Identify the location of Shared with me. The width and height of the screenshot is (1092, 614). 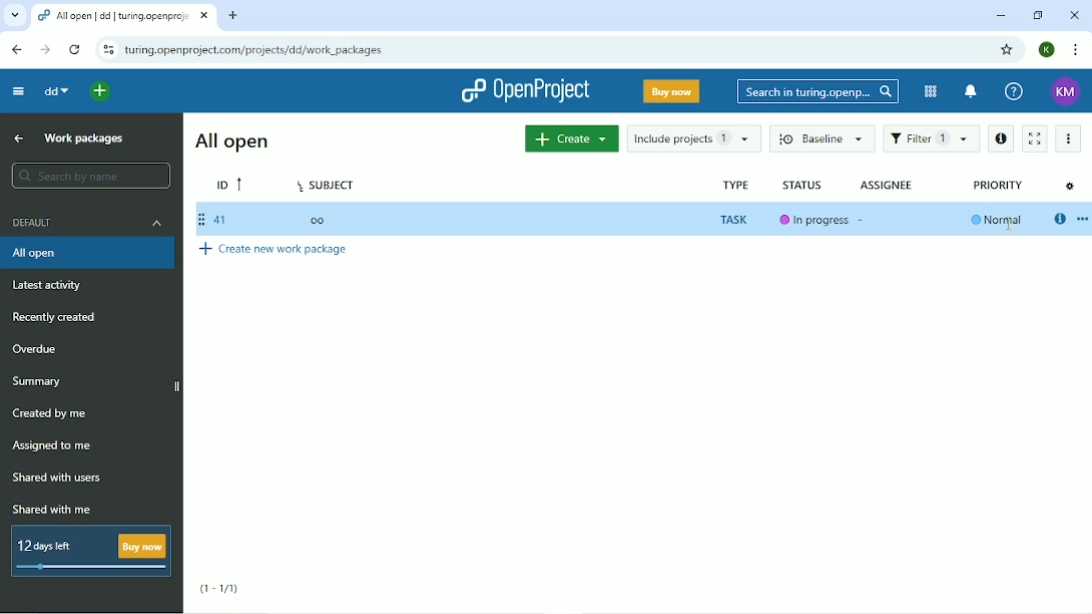
(53, 510).